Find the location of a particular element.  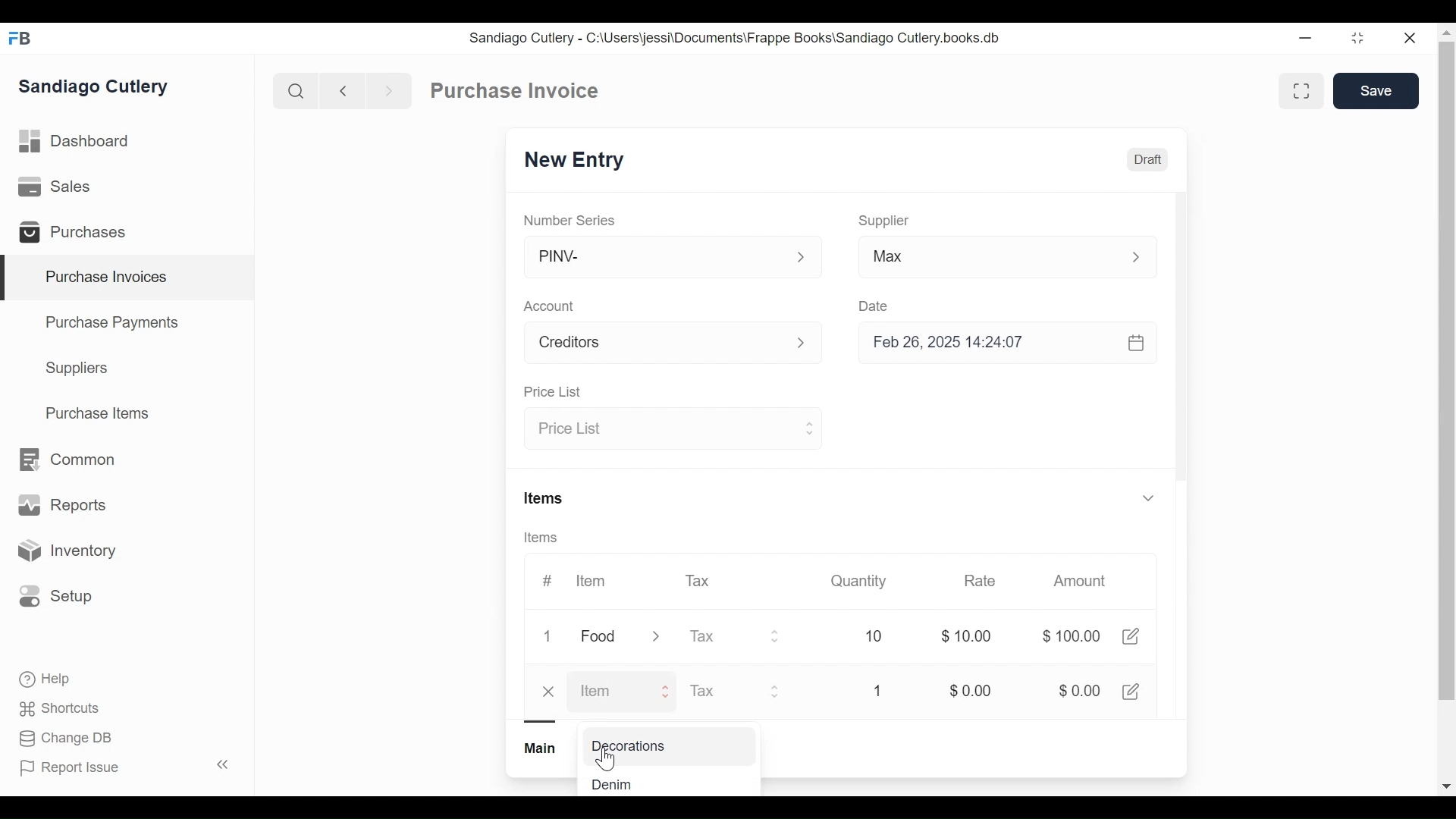

Quantity is located at coordinates (861, 580).